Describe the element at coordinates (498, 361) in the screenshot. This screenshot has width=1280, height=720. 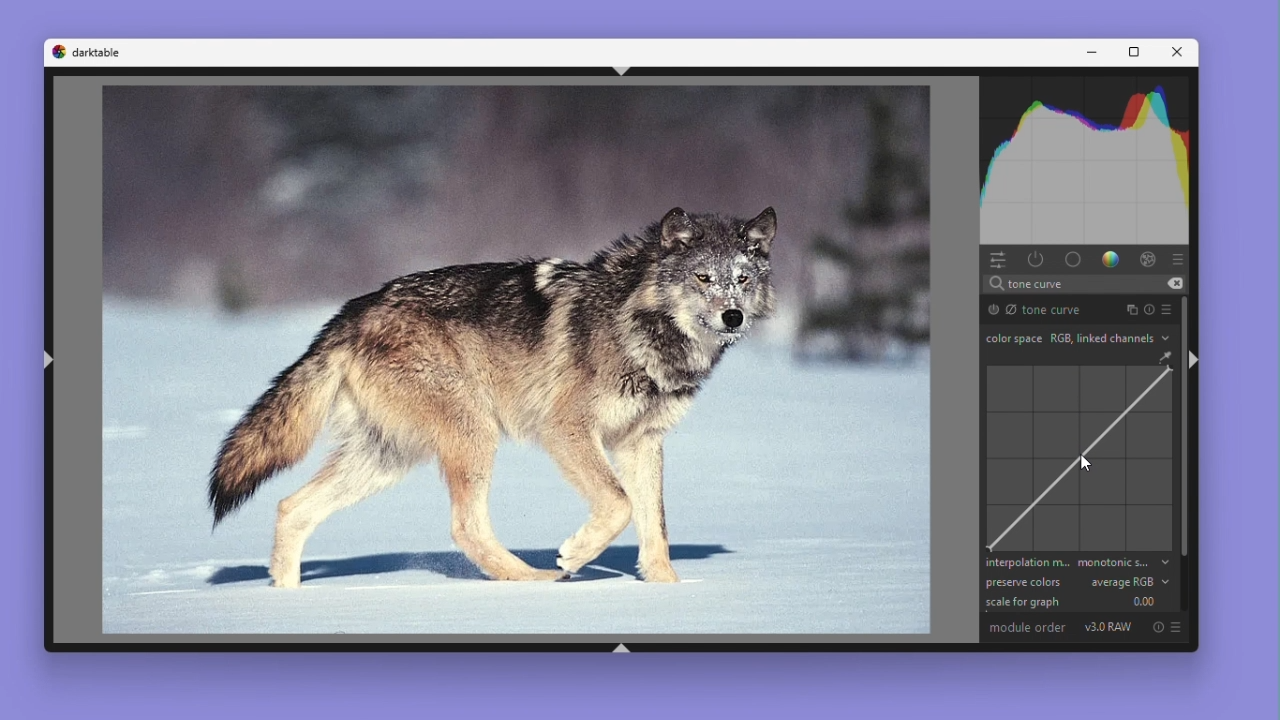
I see `Image` at that location.